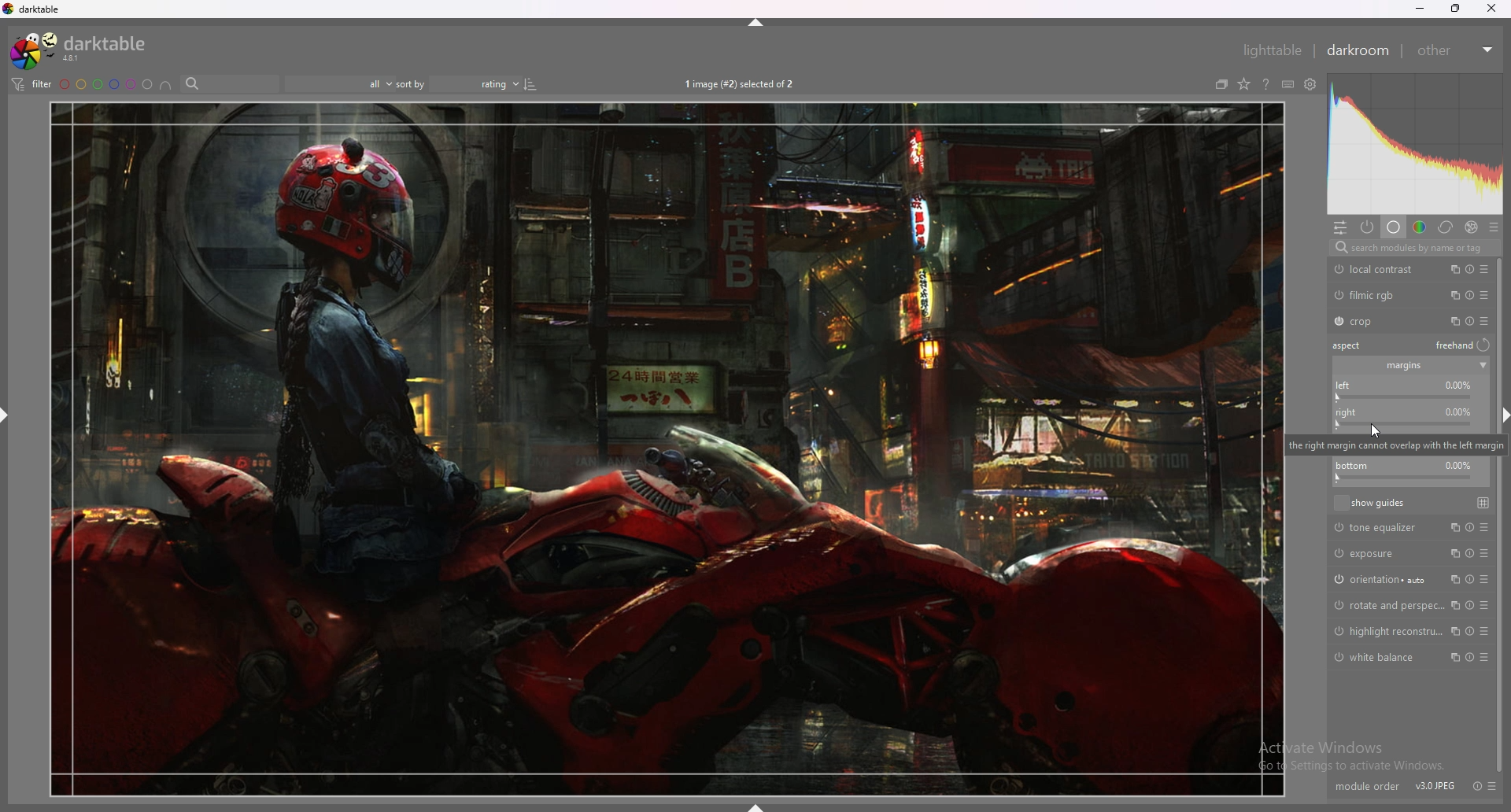  Describe the element at coordinates (1266, 84) in the screenshot. I see `online help` at that location.